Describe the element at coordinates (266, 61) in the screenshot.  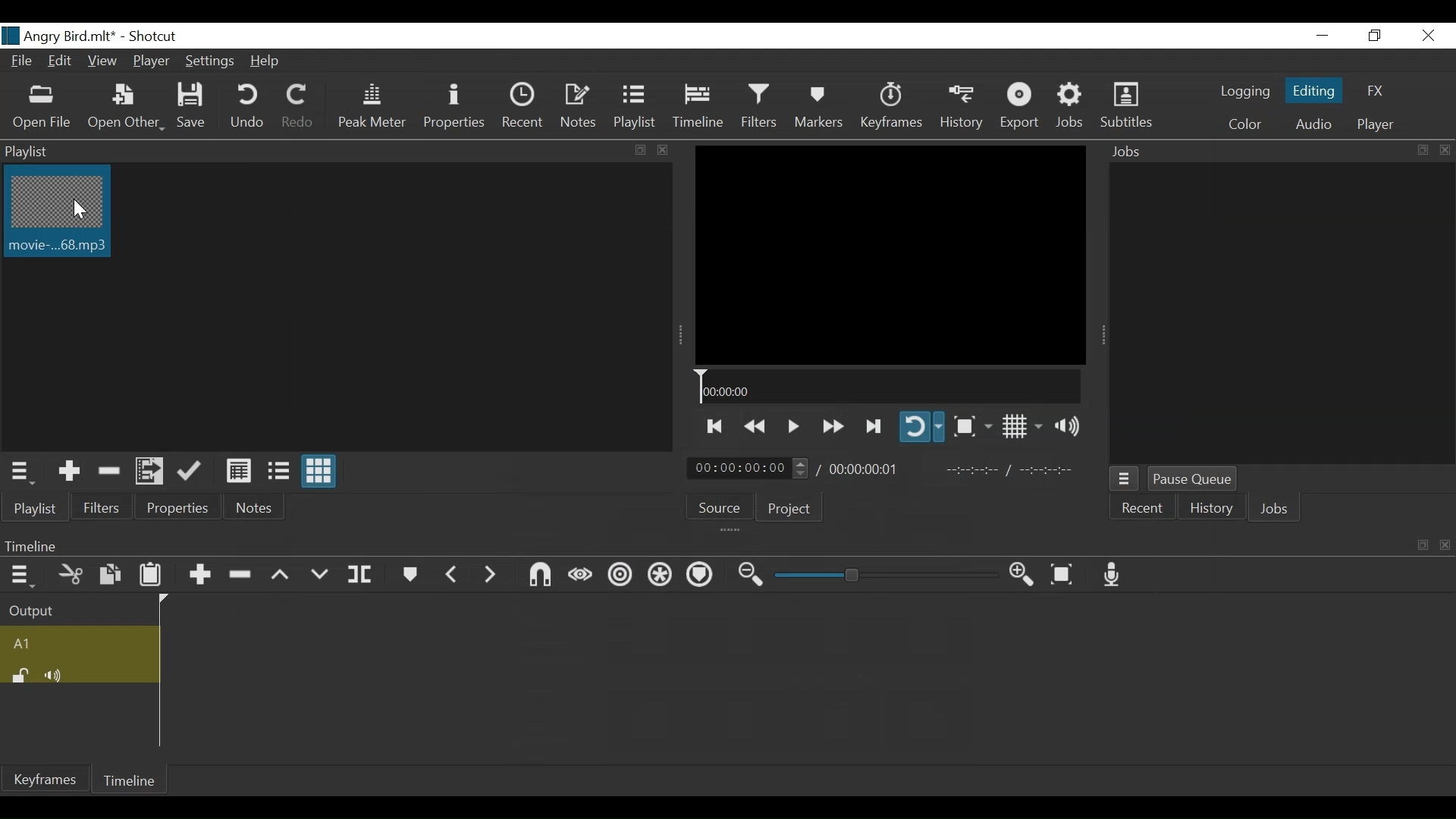
I see `Help` at that location.